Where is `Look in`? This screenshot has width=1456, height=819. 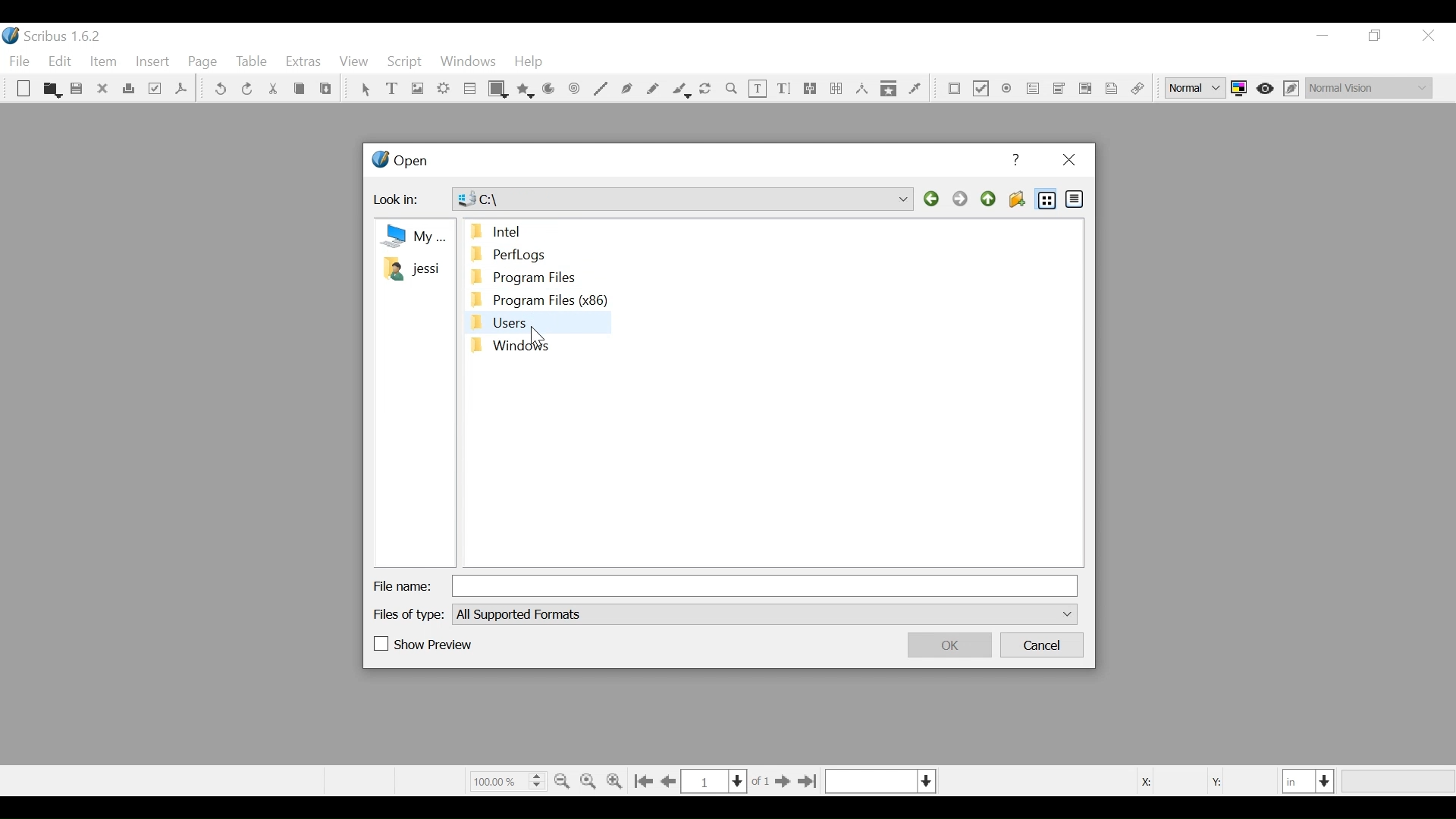 Look in is located at coordinates (402, 202).